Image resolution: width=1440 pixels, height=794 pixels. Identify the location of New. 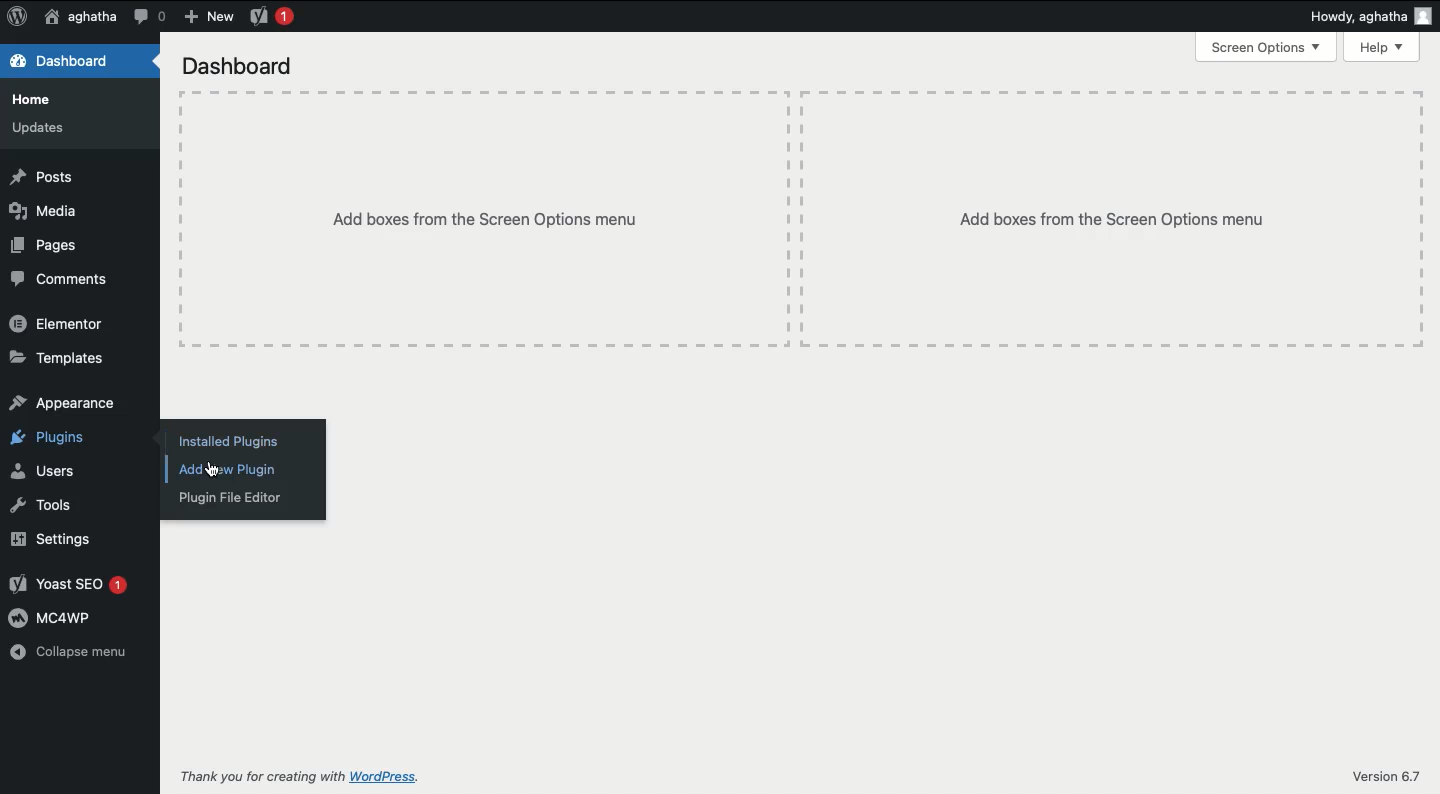
(207, 17).